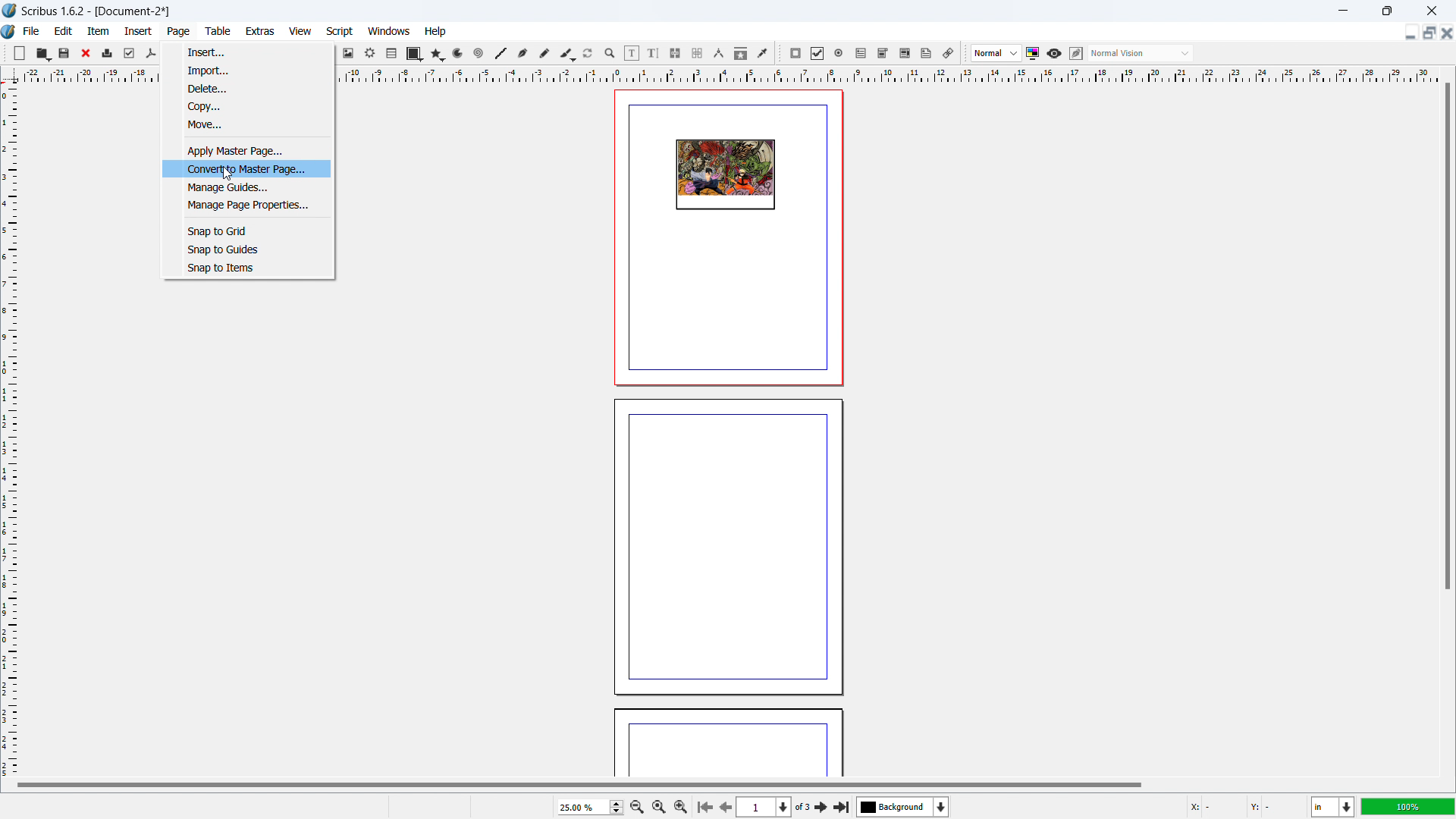 This screenshot has height=819, width=1456. Describe the element at coordinates (545, 54) in the screenshot. I see `freehand line` at that location.